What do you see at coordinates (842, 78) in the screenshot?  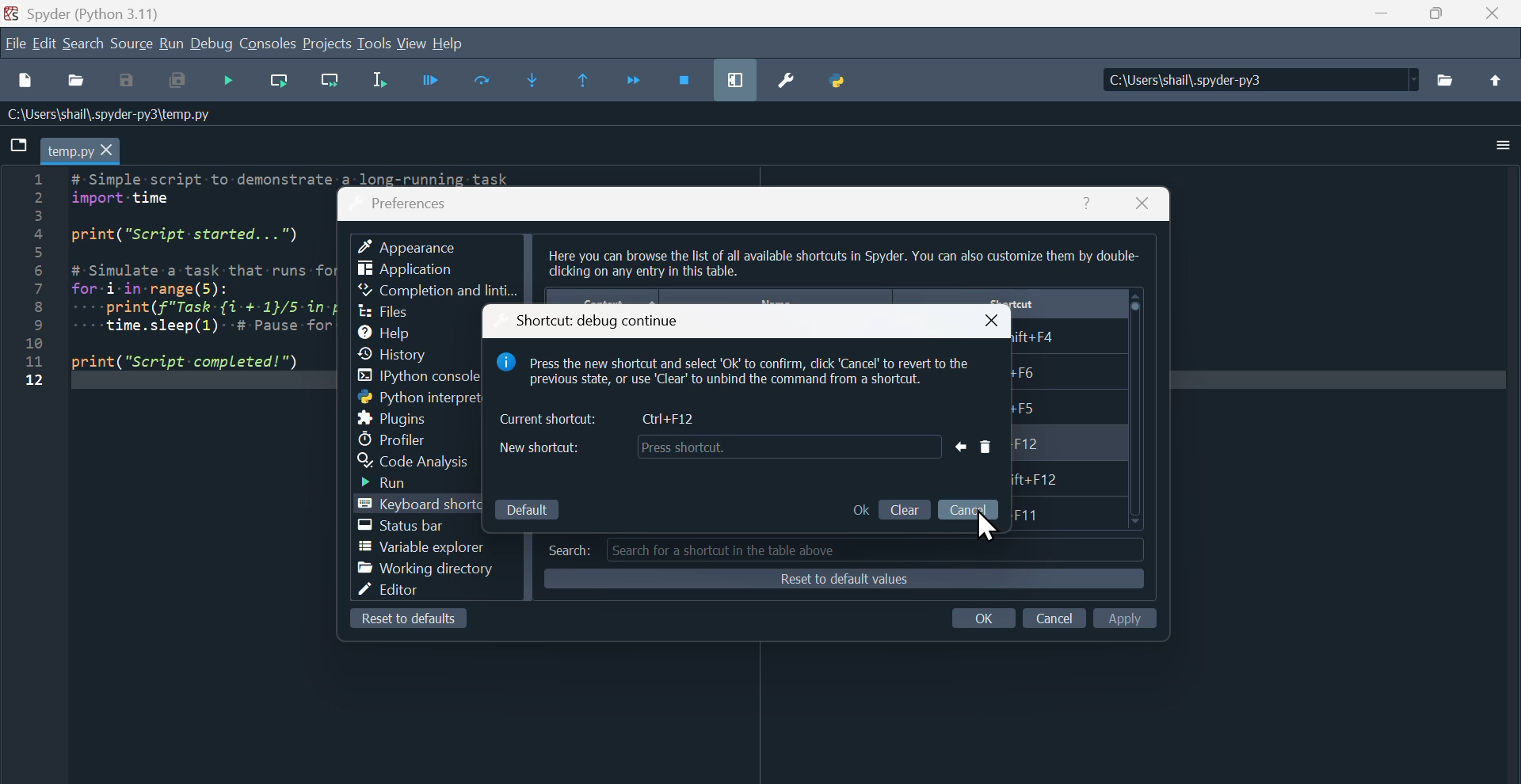 I see `Python path manager` at bounding box center [842, 78].